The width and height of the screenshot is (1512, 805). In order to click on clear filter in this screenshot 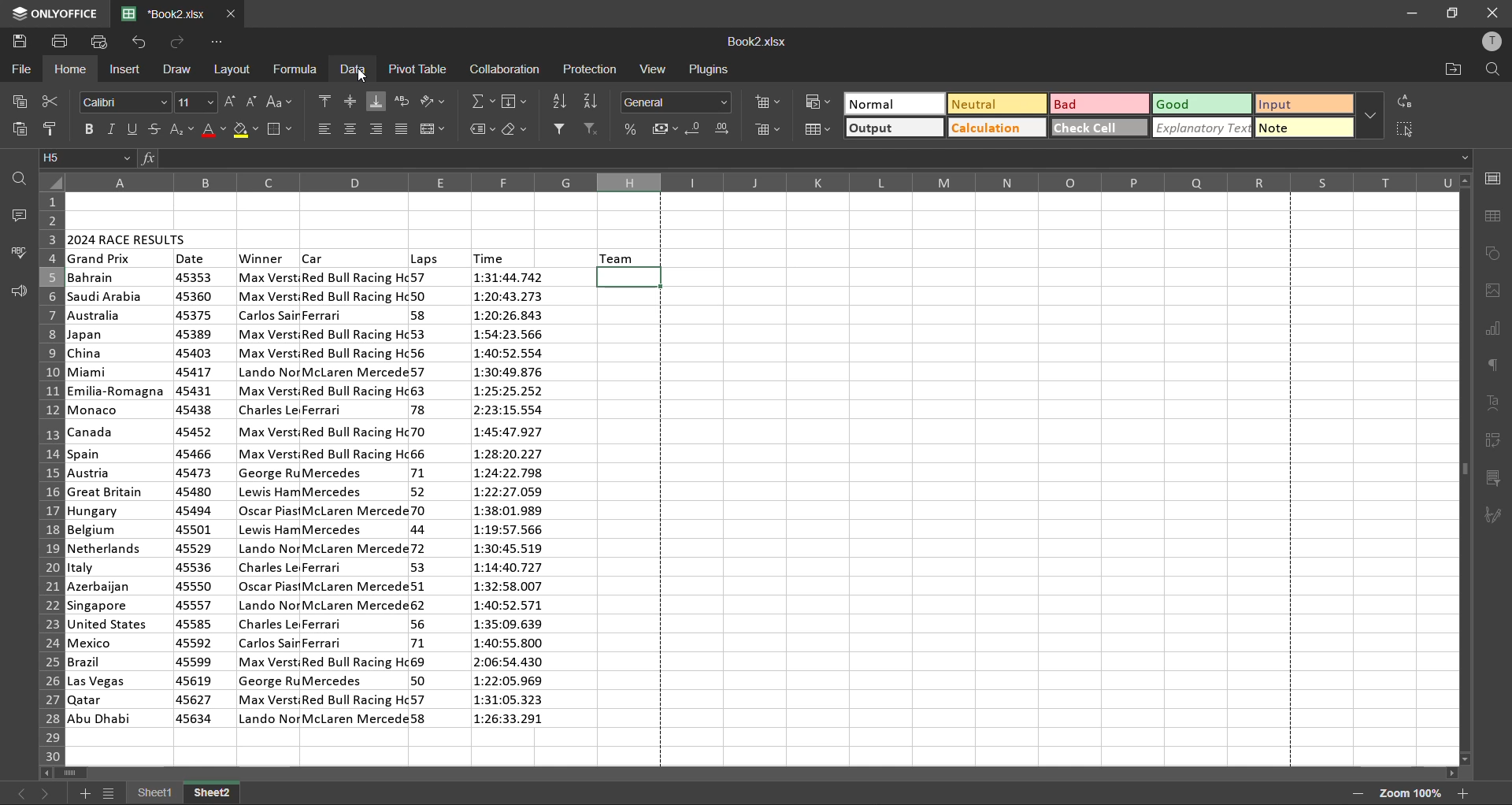, I will do `click(591, 128)`.